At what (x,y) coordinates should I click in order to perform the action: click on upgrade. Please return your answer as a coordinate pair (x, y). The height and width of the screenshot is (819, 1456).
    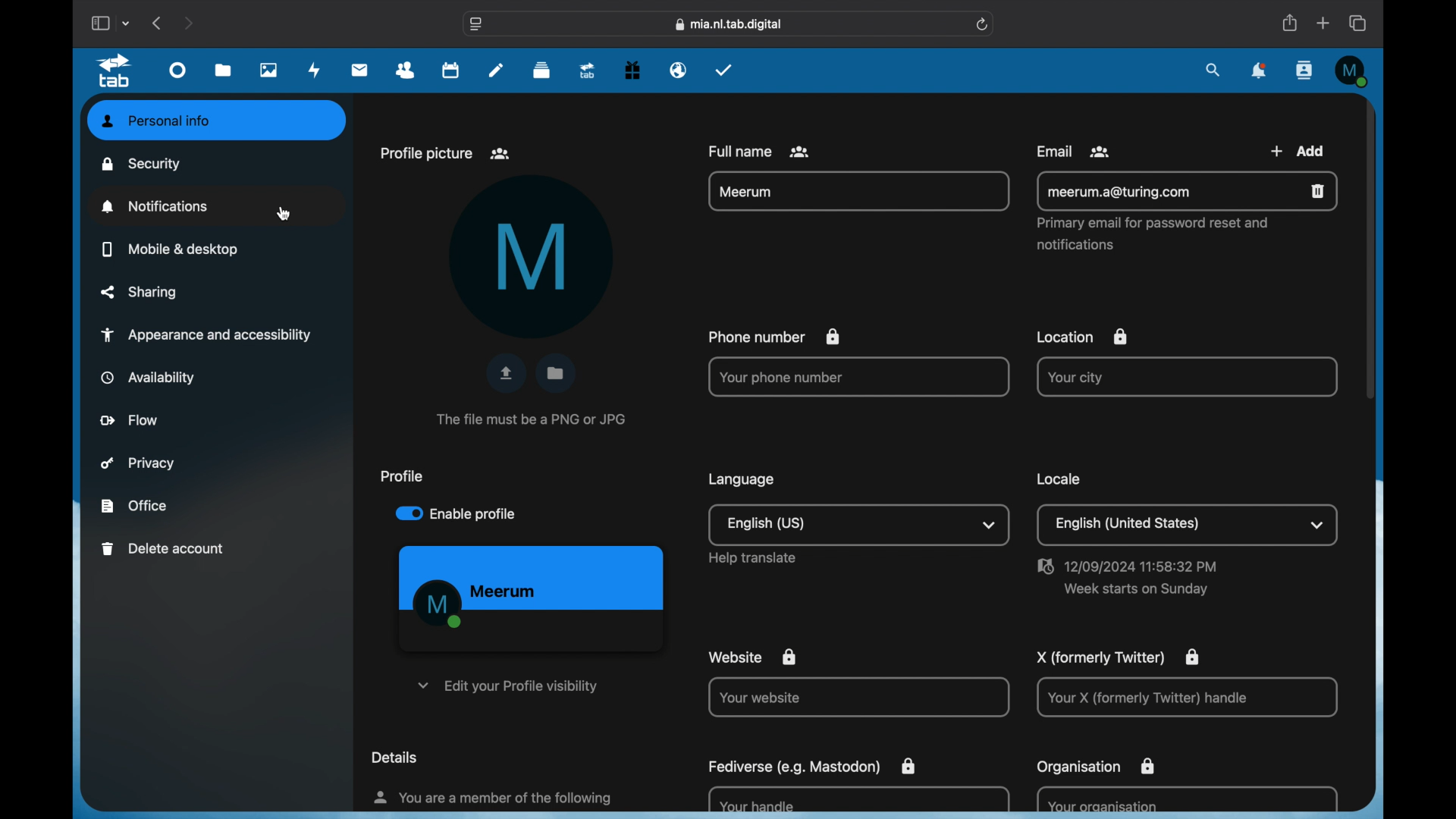
    Looking at the image, I should click on (586, 71).